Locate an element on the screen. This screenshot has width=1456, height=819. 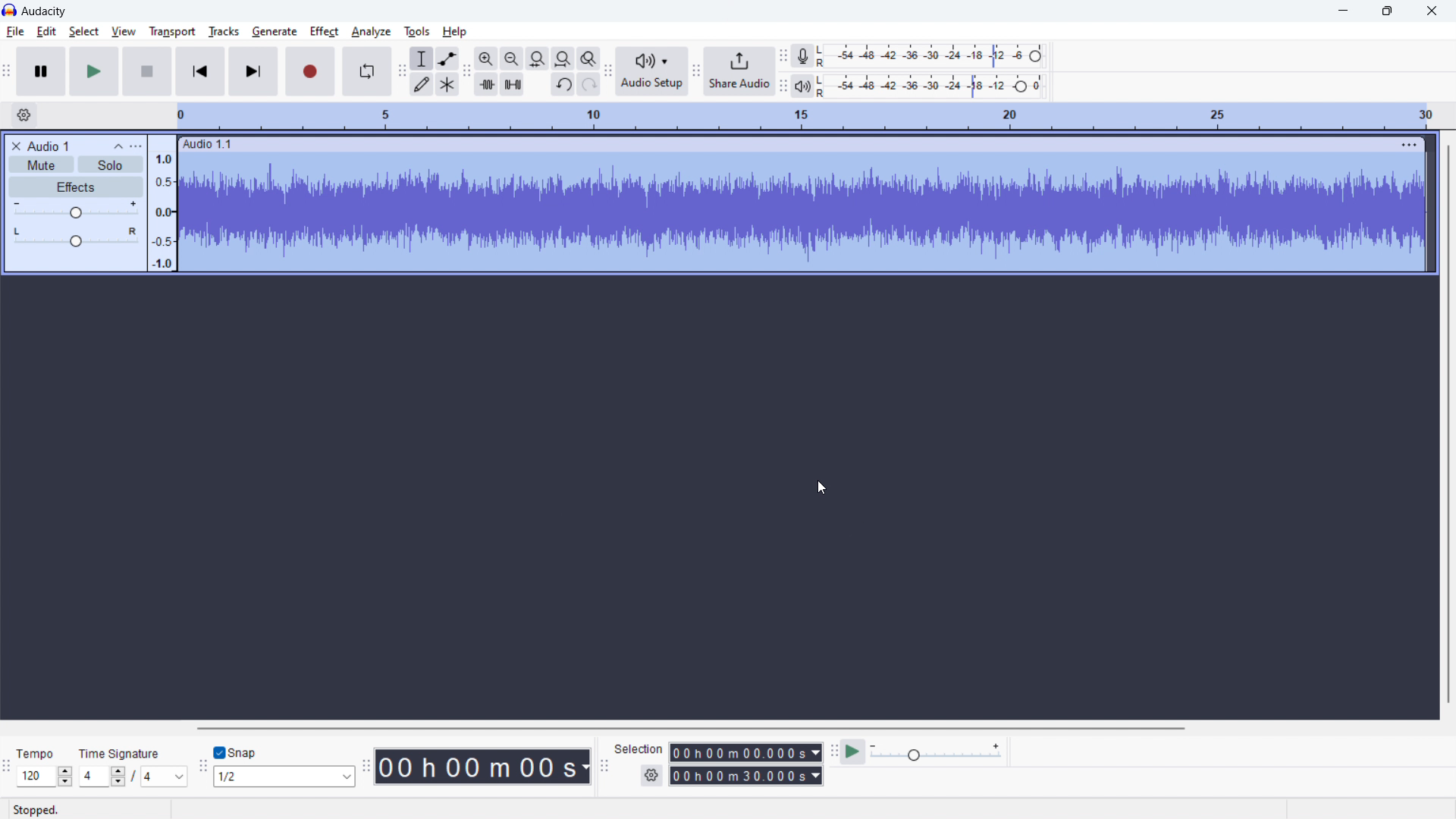
options is located at coordinates (1407, 144).